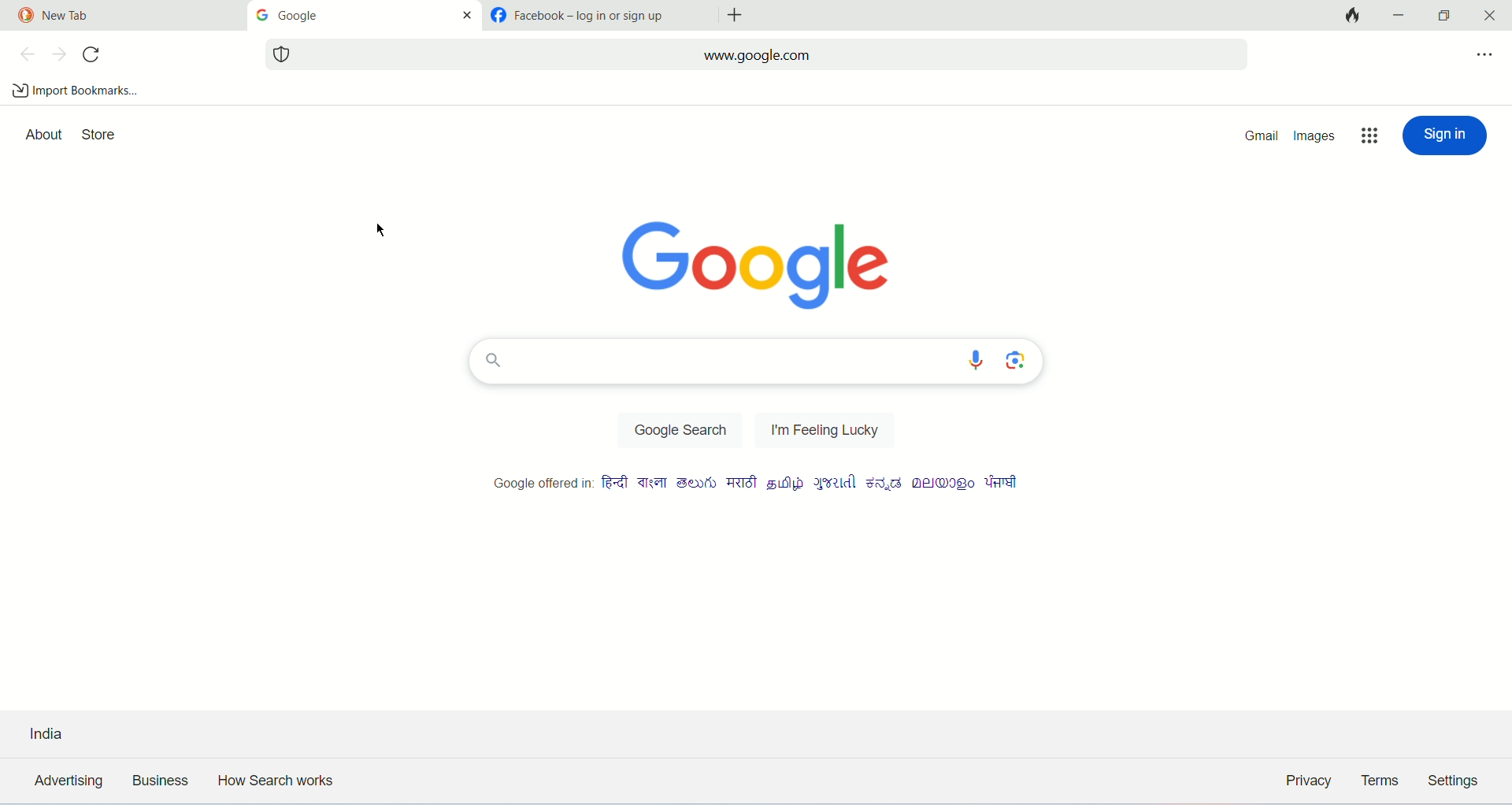  What do you see at coordinates (1306, 782) in the screenshot?
I see `privacy` at bounding box center [1306, 782].